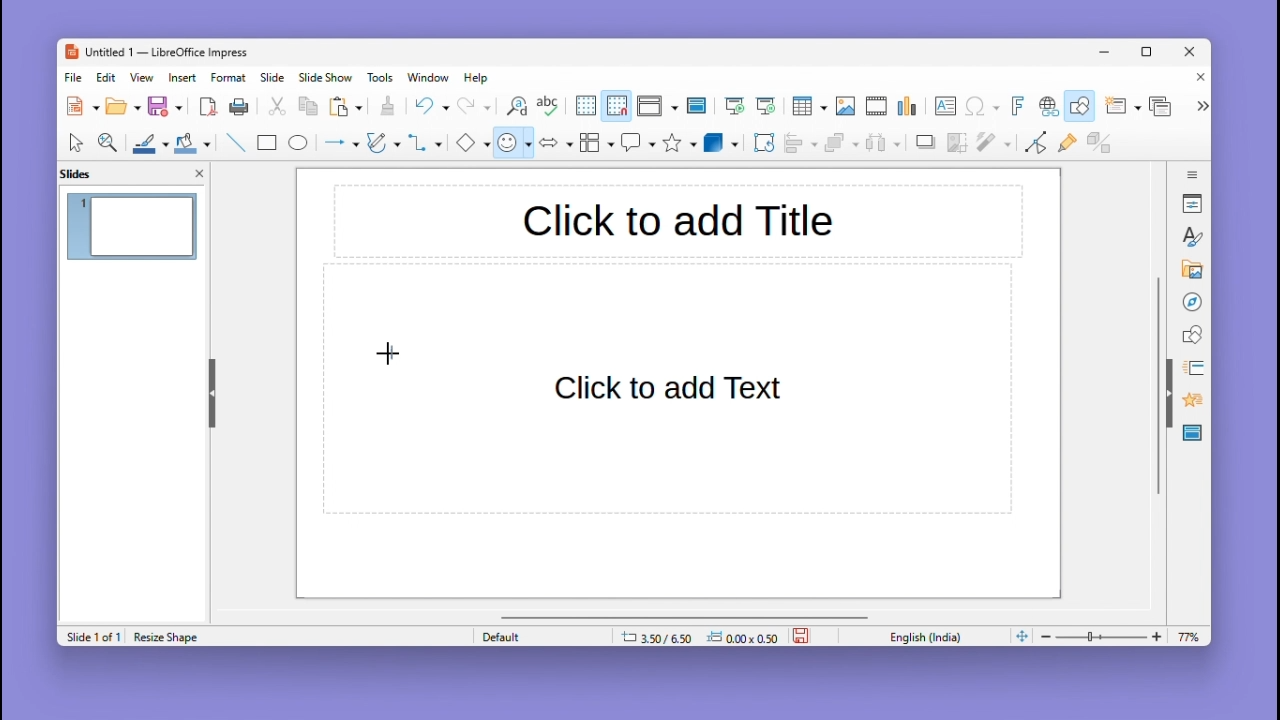 The height and width of the screenshot is (720, 1280). What do you see at coordinates (390, 360) in the screenshot?
I see `Cross hair` at bounding box center [390, 360].